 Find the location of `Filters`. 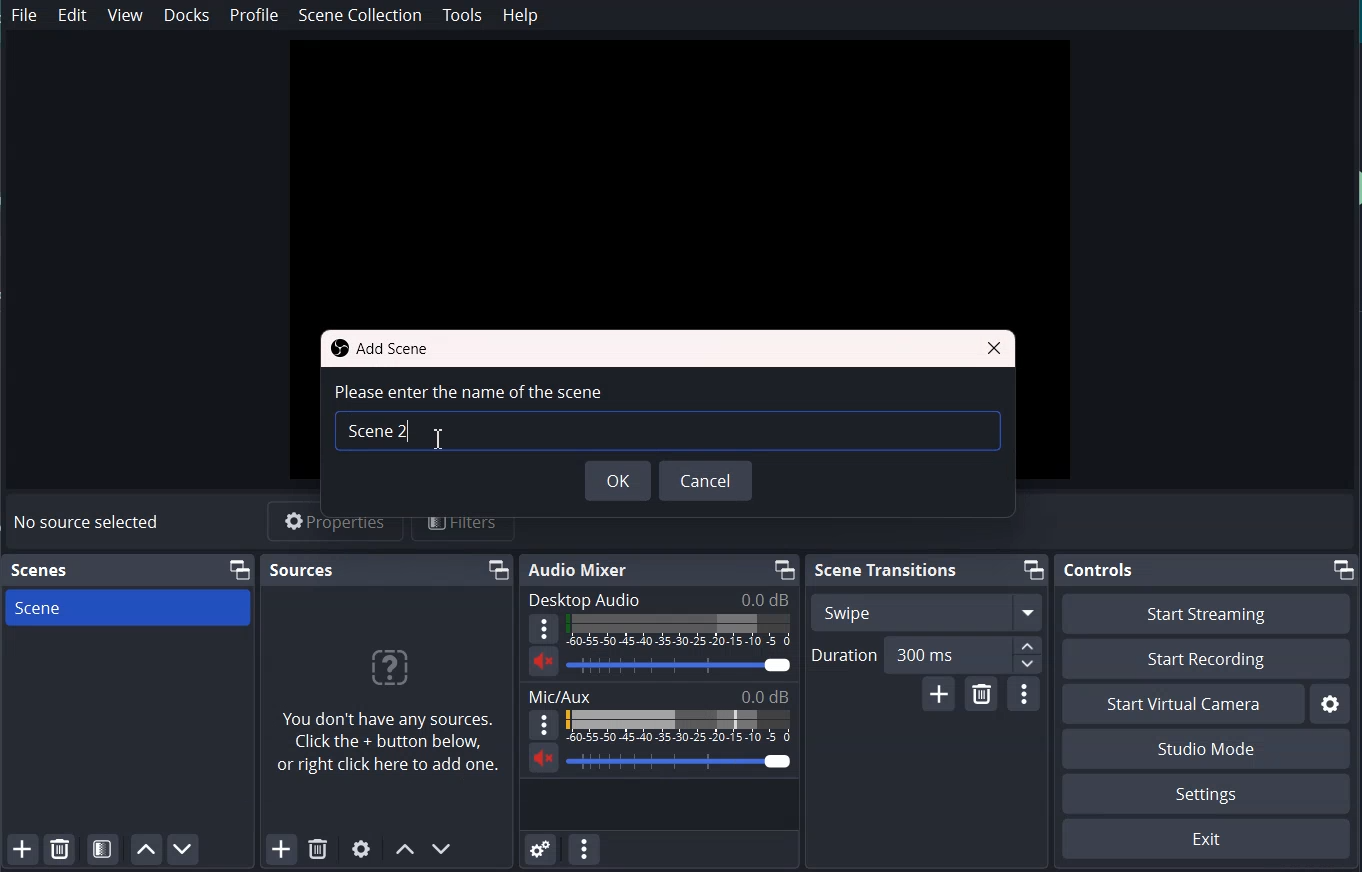

Filters is located at coordinates (463, 520).